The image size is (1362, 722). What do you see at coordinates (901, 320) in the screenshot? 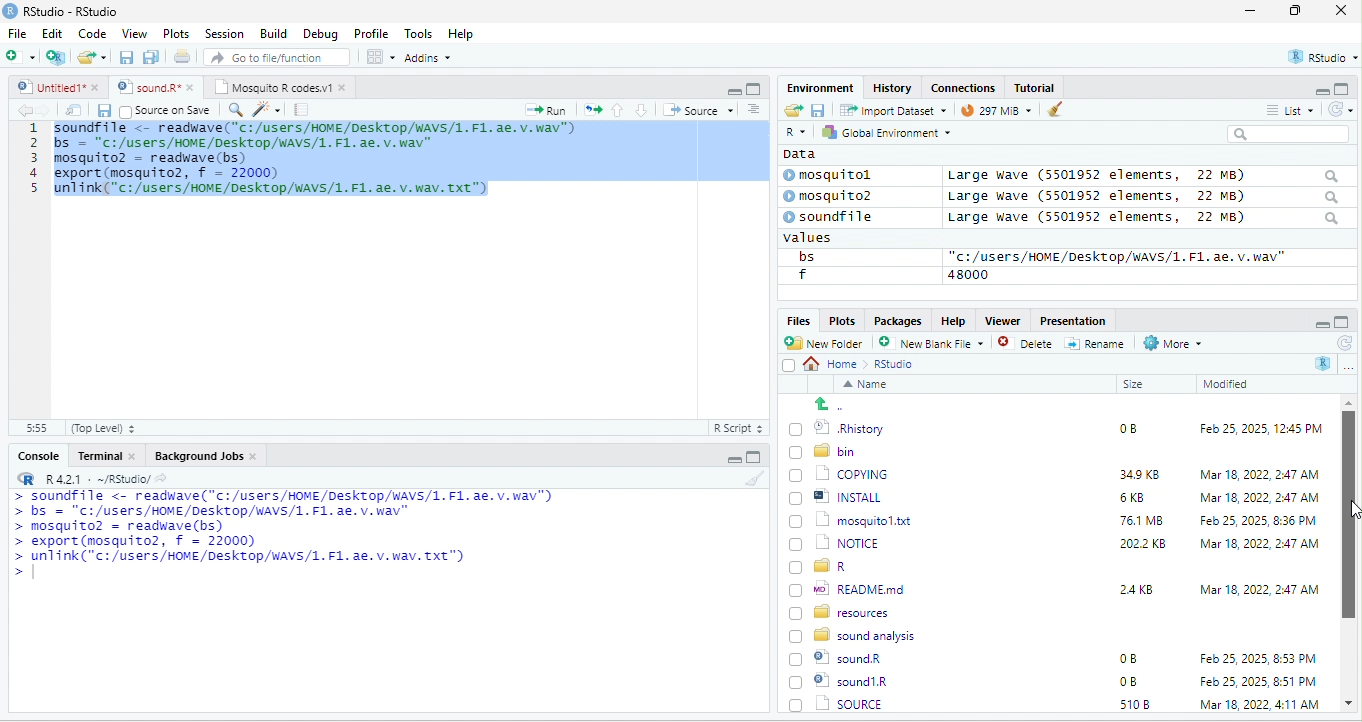
I see `Packages` at bounding box center [901, 320].